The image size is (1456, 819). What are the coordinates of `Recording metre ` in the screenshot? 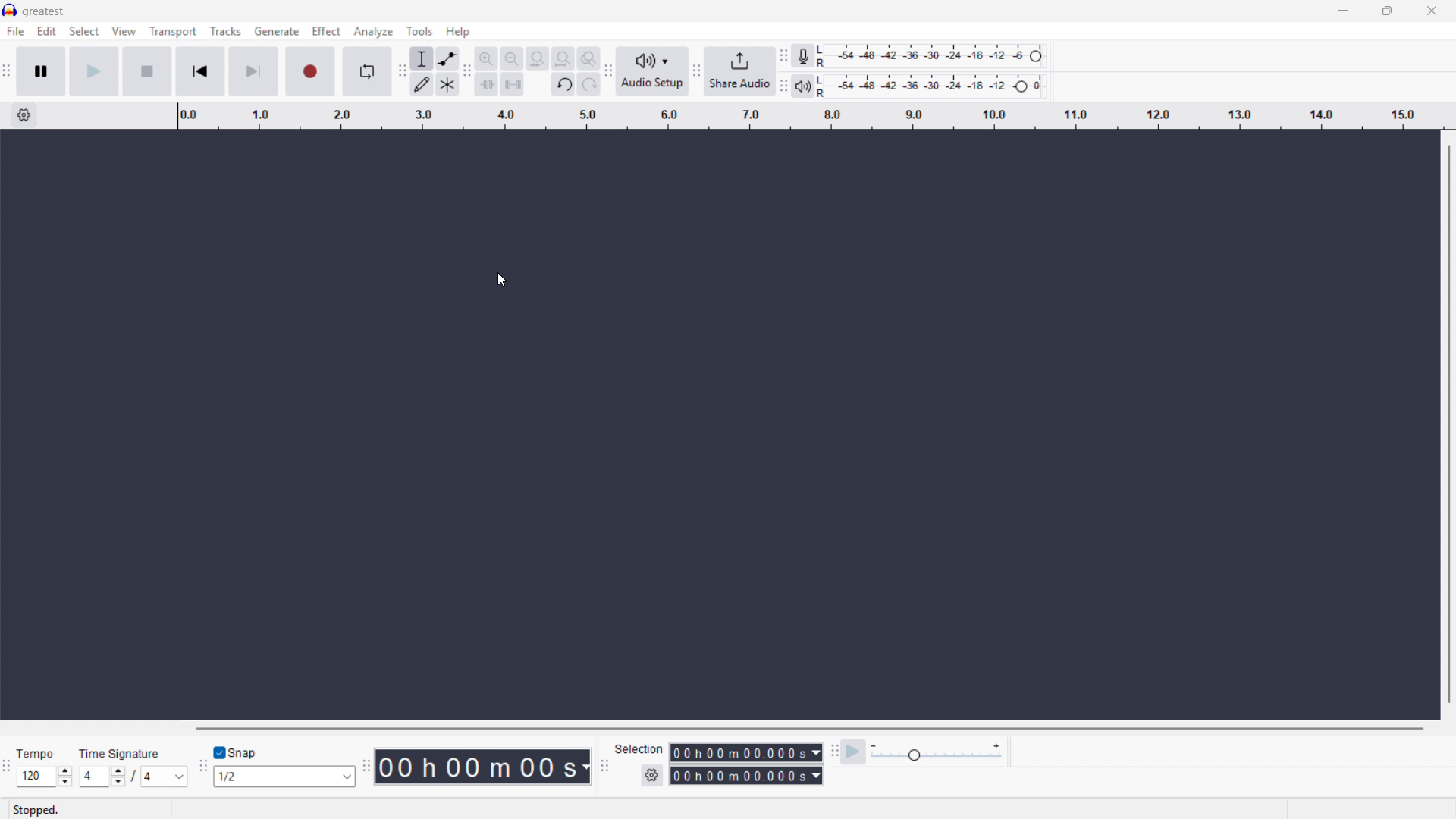 It's located at (802, 55).